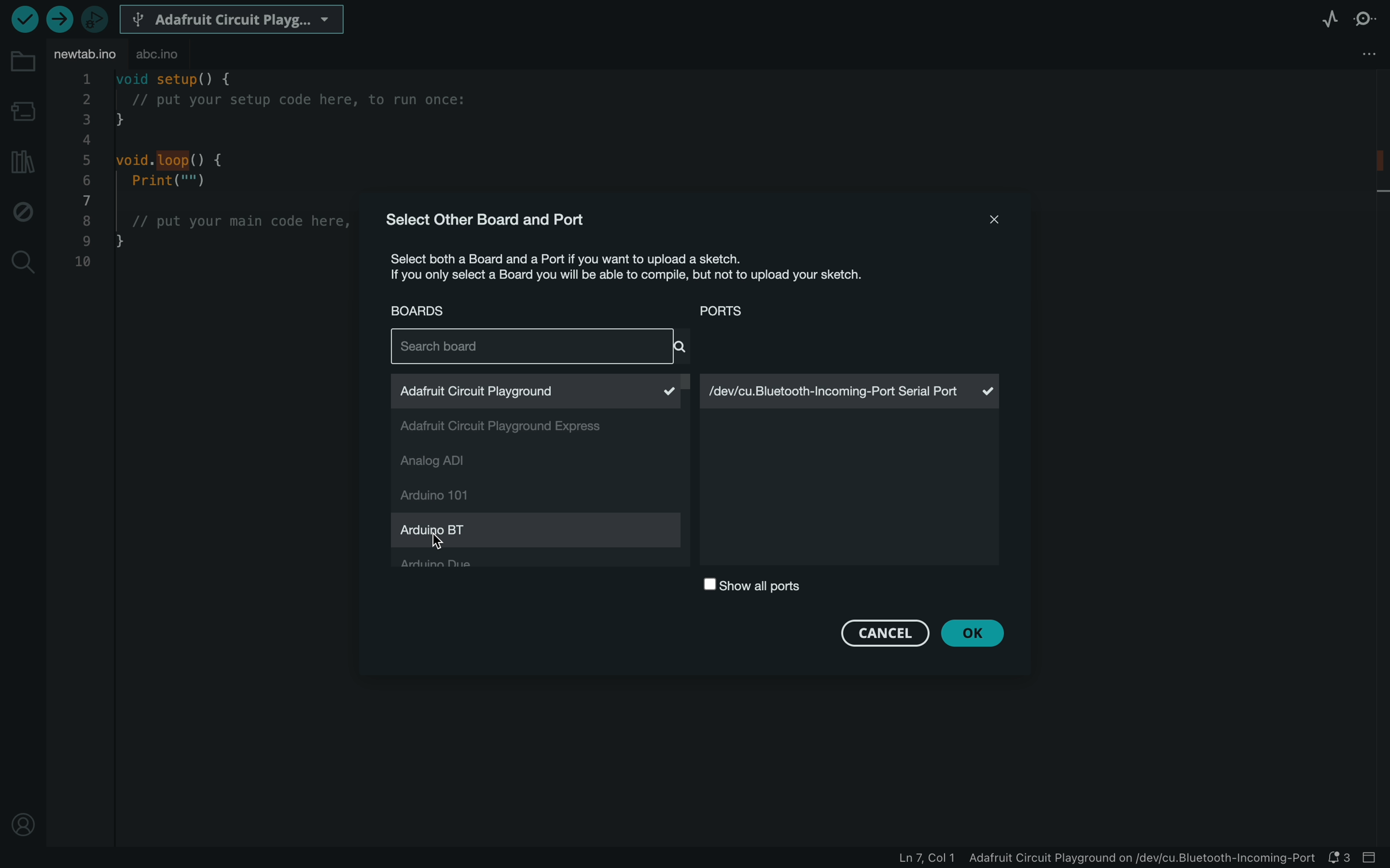 This screenshot has width=1390, height=868. I want to click on boards, so click(432, 314).